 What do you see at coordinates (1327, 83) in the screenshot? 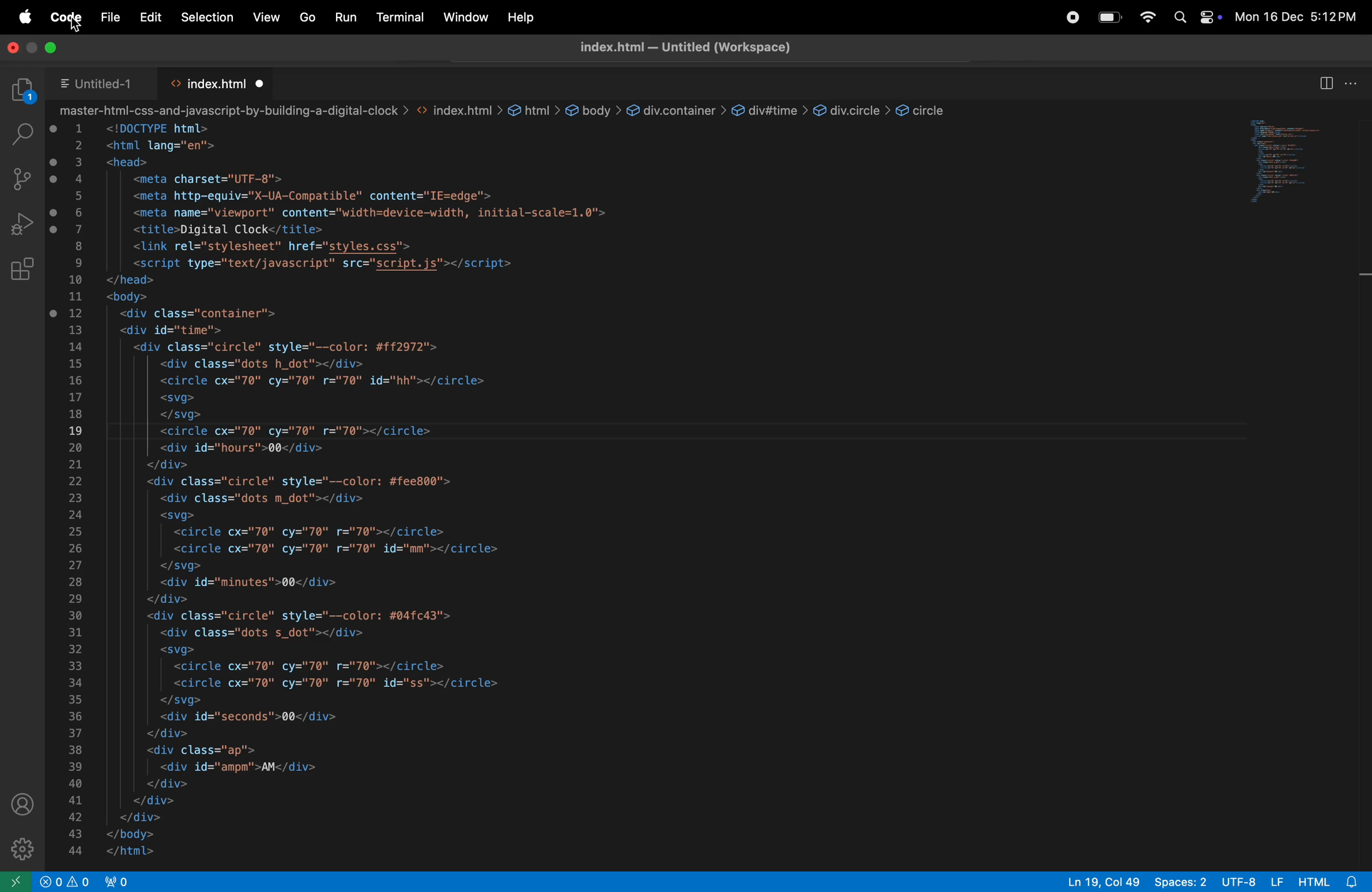
I see `spit editor` at bounding box center [1327, 83].